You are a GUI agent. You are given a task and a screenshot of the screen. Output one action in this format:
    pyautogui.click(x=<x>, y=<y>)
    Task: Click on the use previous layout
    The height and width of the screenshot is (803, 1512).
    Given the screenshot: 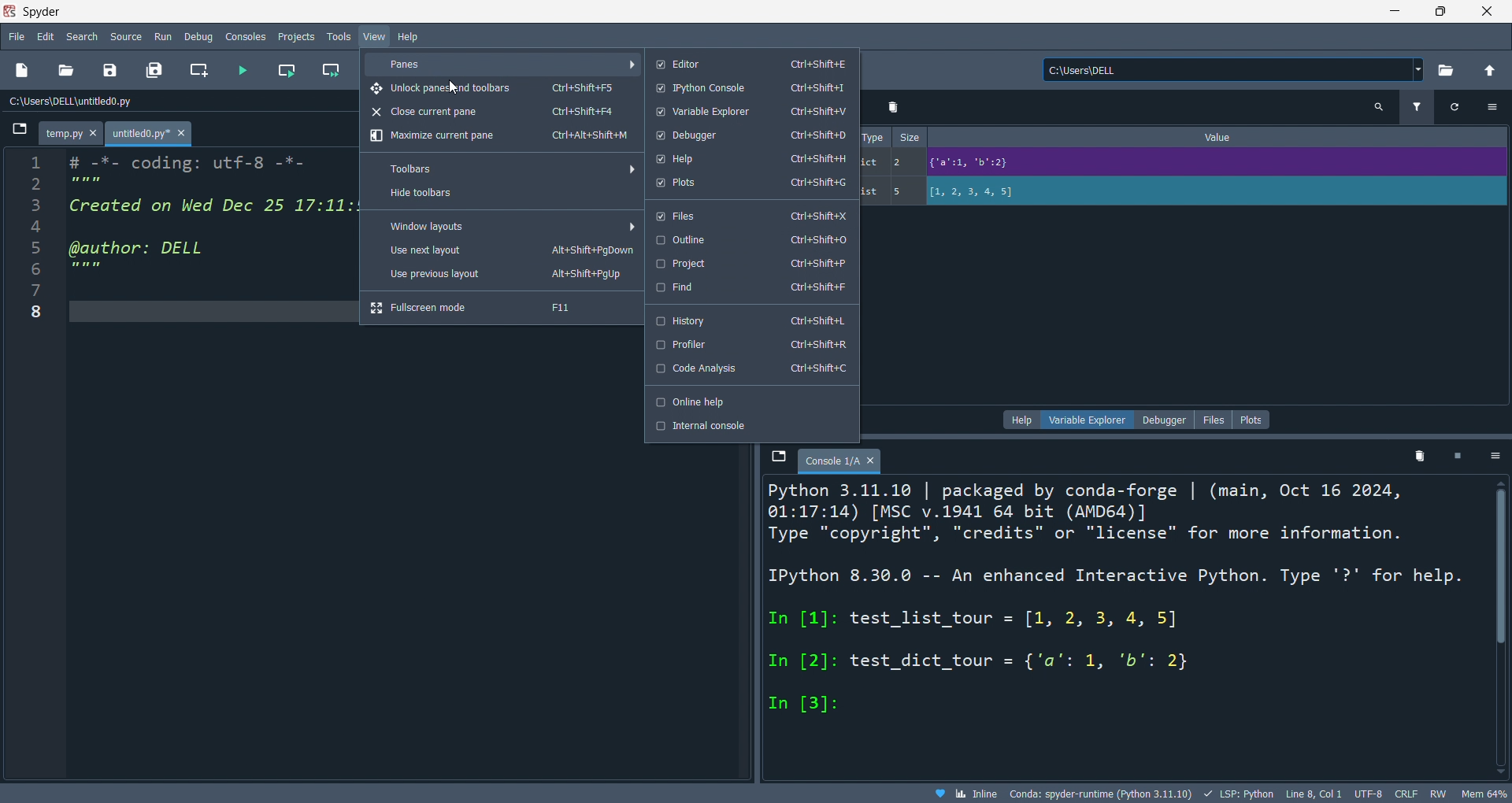 What is the action you would take?
    pyautogui.click(x=502, y=276)
    